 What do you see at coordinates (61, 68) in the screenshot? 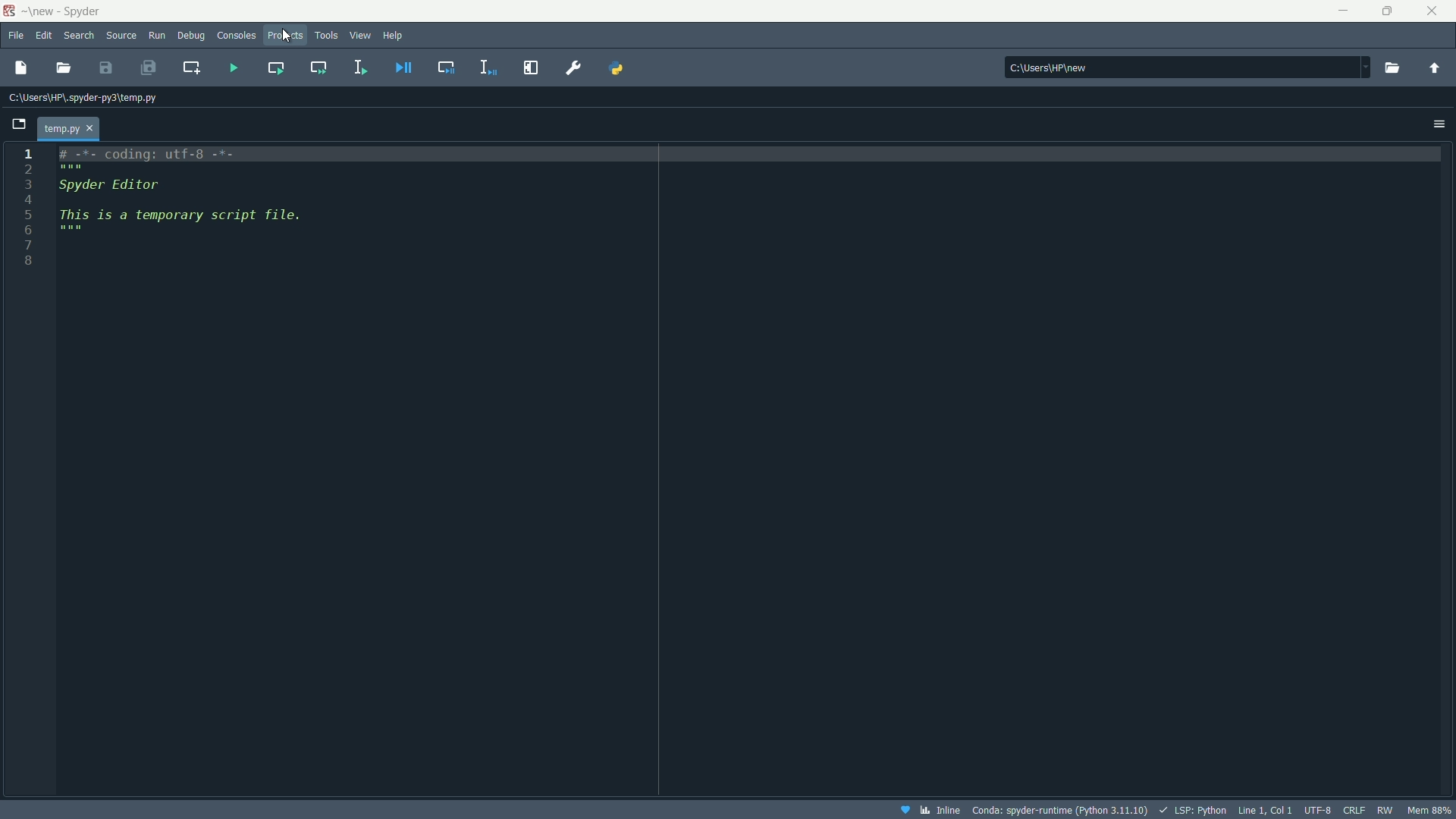
I see `Open file ` at bounding box center [61, 68].